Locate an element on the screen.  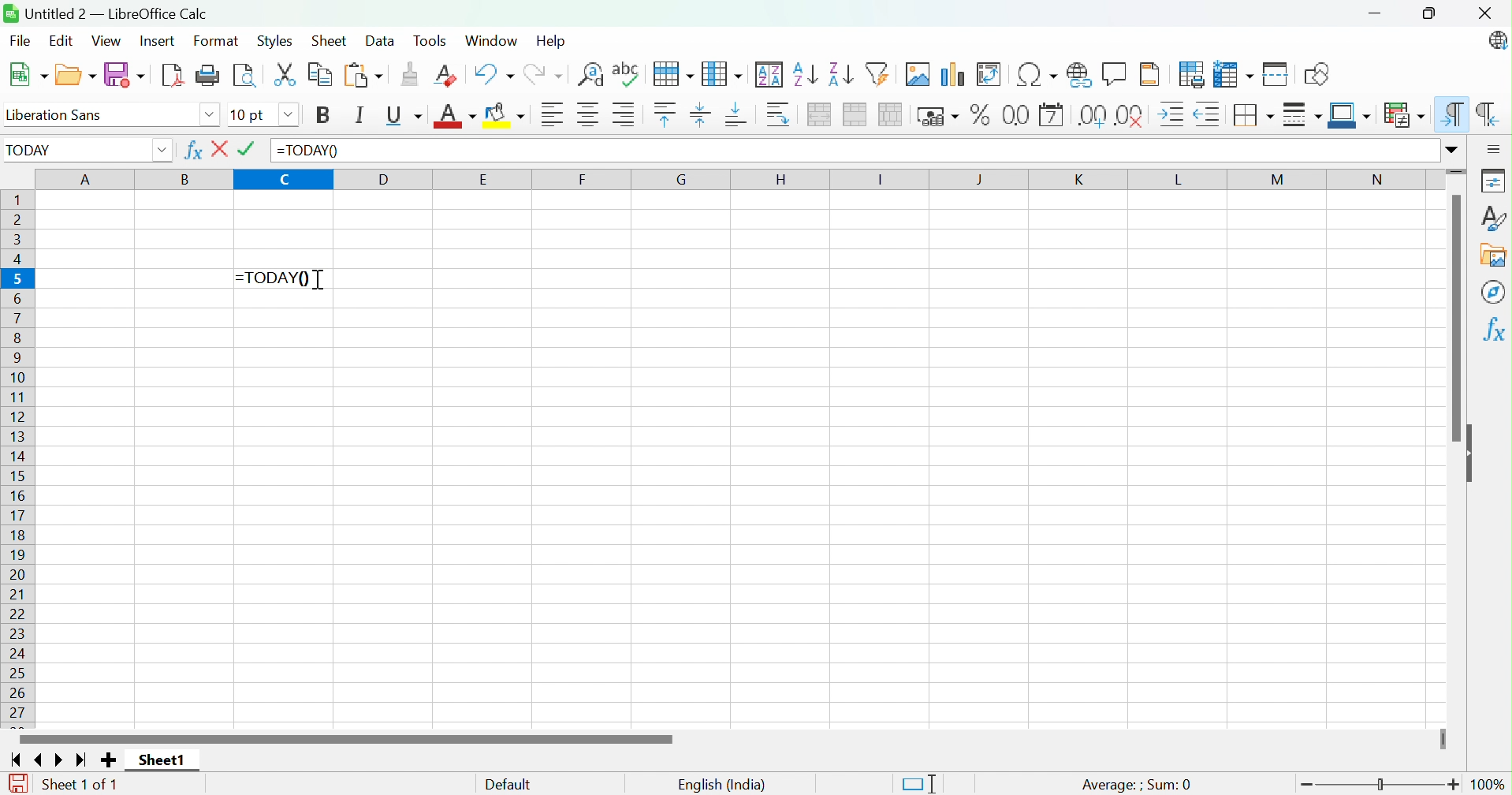
Zoom out is located at coordinates (1306, 786).